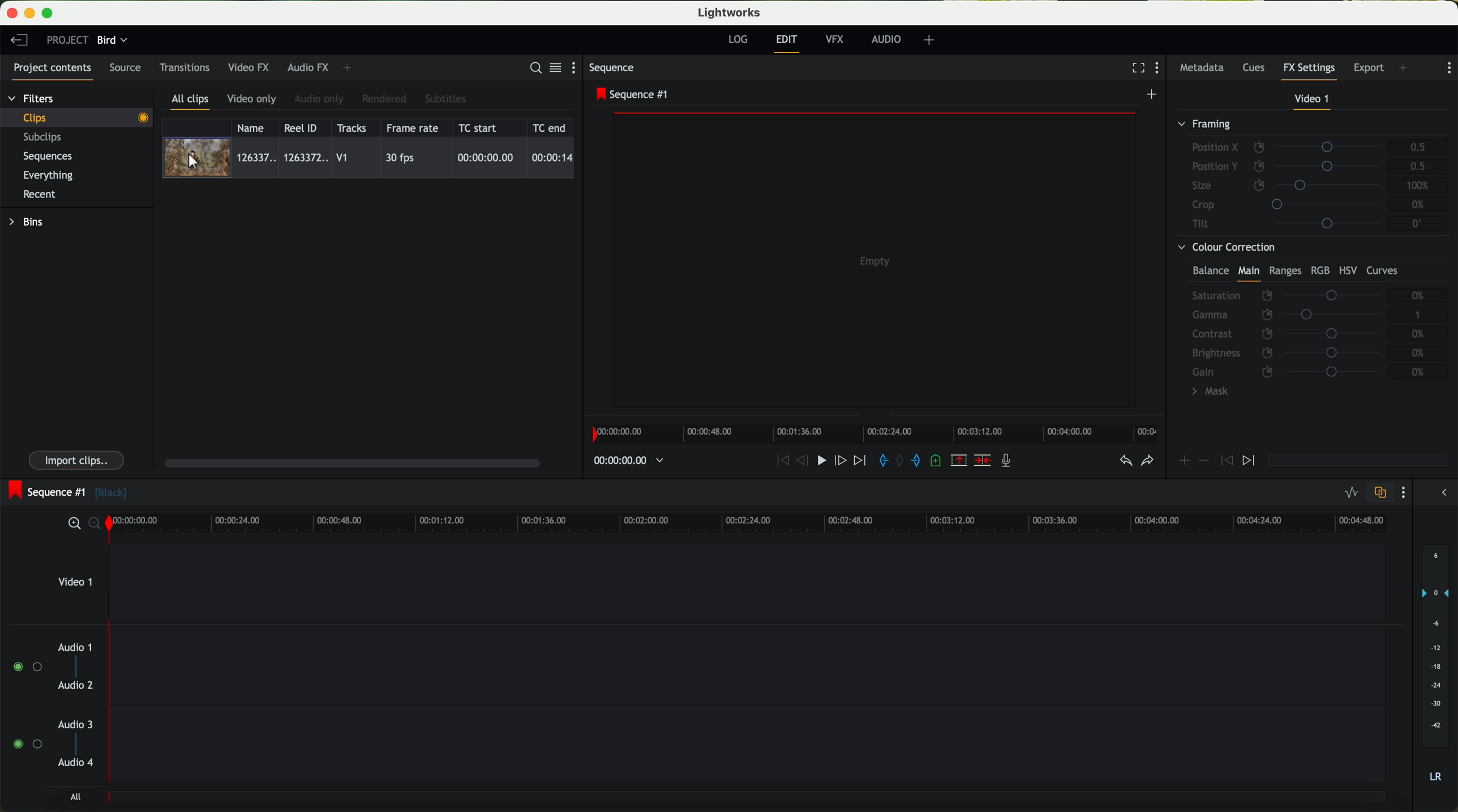 The width and height of the screenshot is (1458, 812). Describe the element at coordinates (1369, 69) in the screenshot. I see `export` at that location.